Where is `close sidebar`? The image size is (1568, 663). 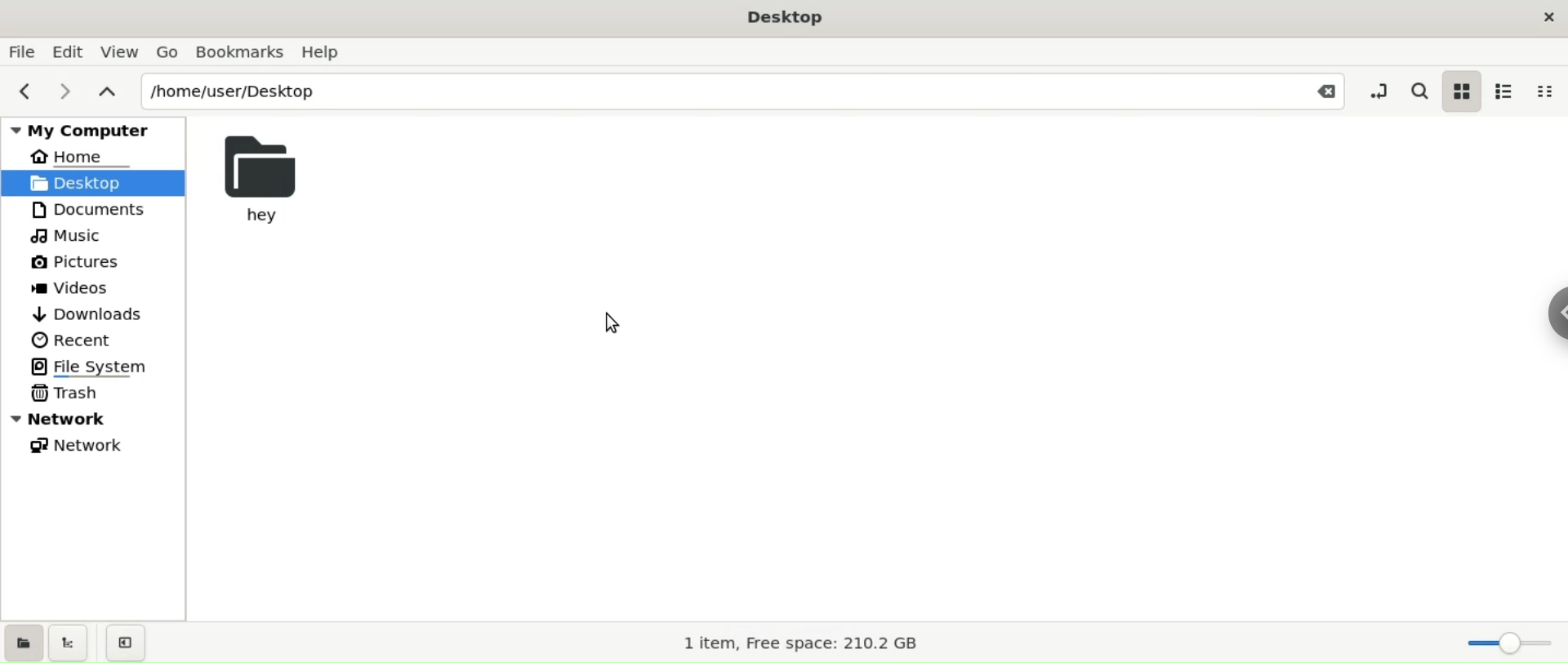
close sidebar is located at coordinates (127, 642).